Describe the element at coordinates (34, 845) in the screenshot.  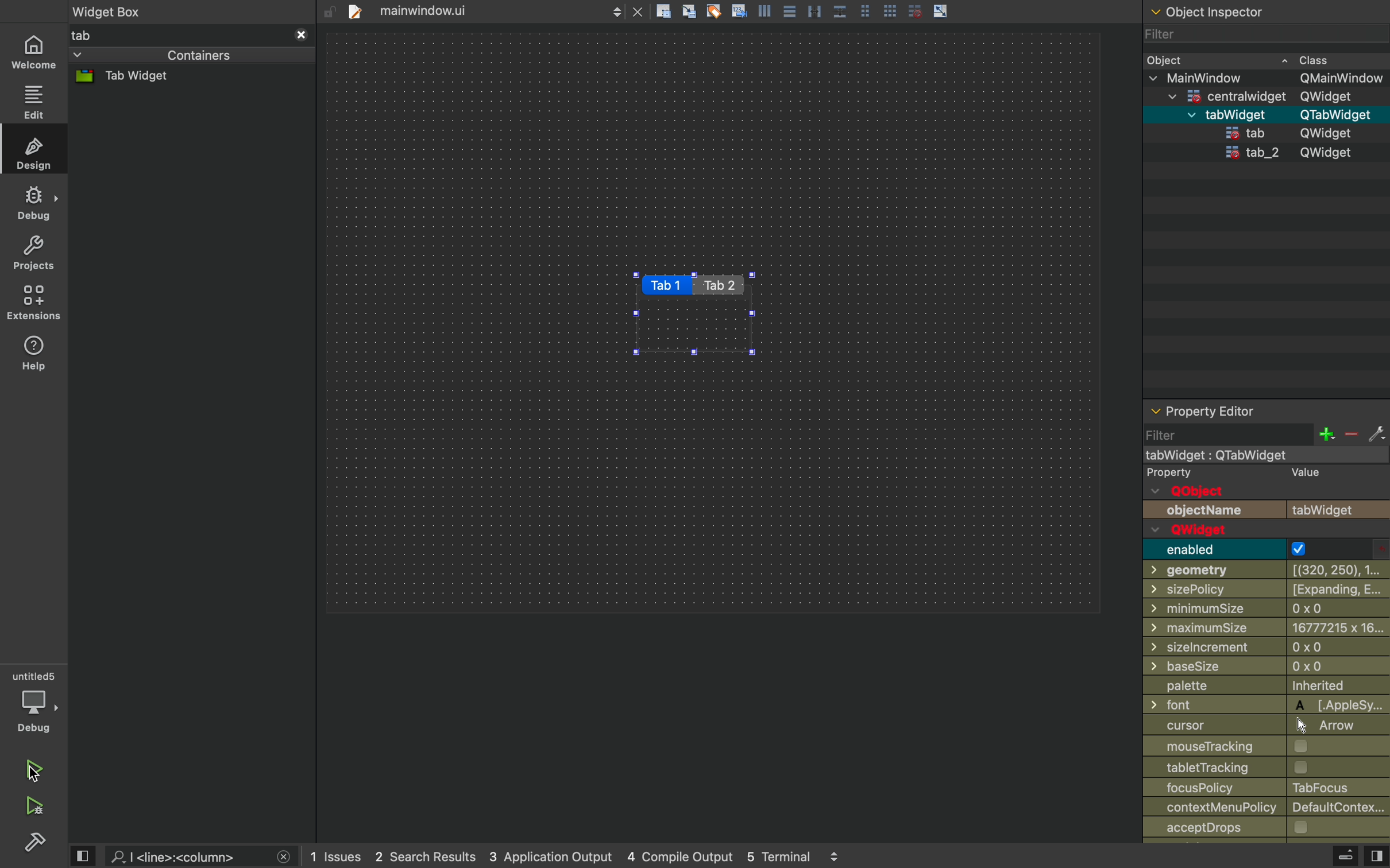
I see `build` at that location.